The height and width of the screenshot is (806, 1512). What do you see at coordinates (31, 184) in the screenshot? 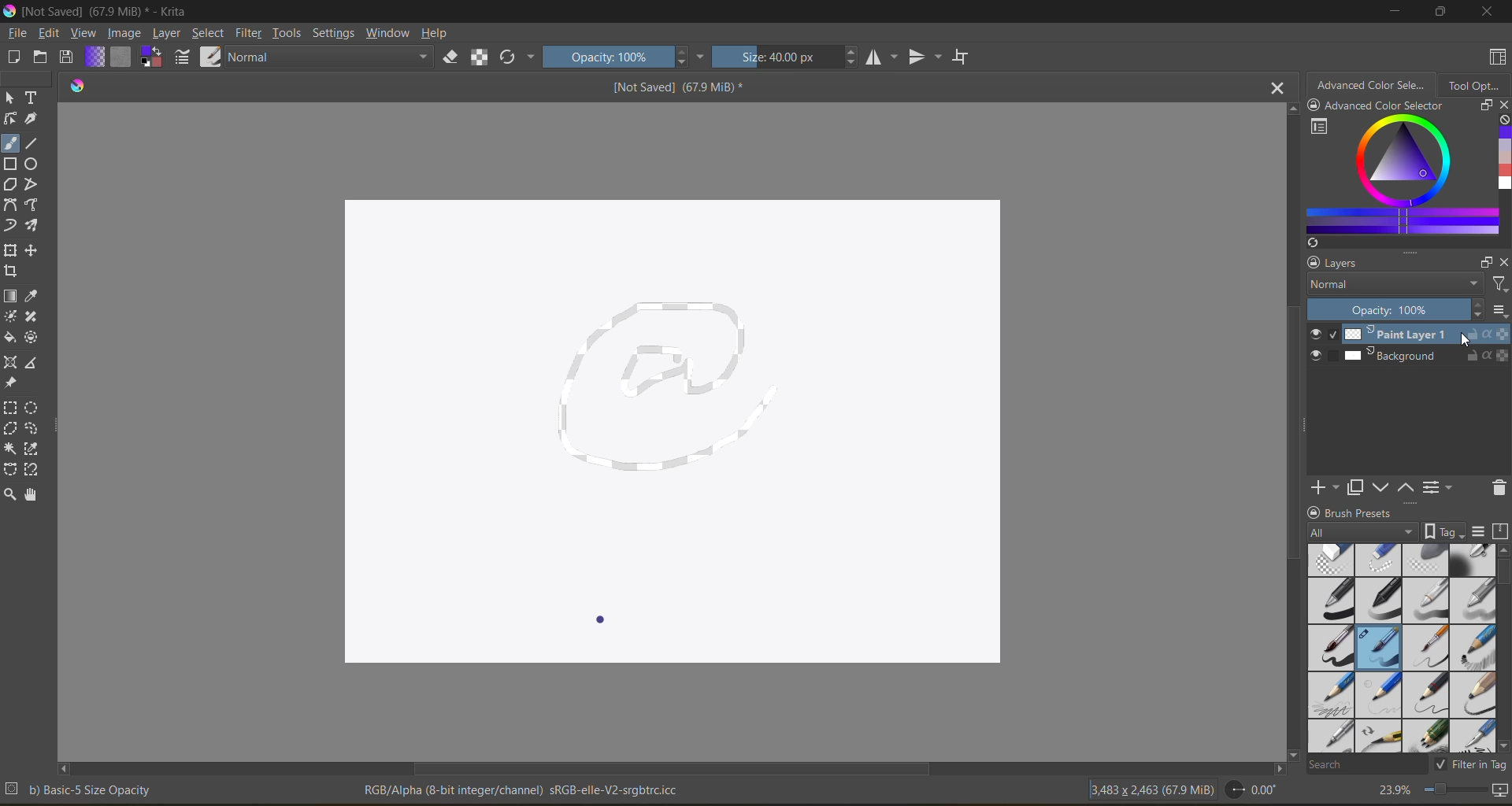
I see `polyline` at bounding box center [31, 184].